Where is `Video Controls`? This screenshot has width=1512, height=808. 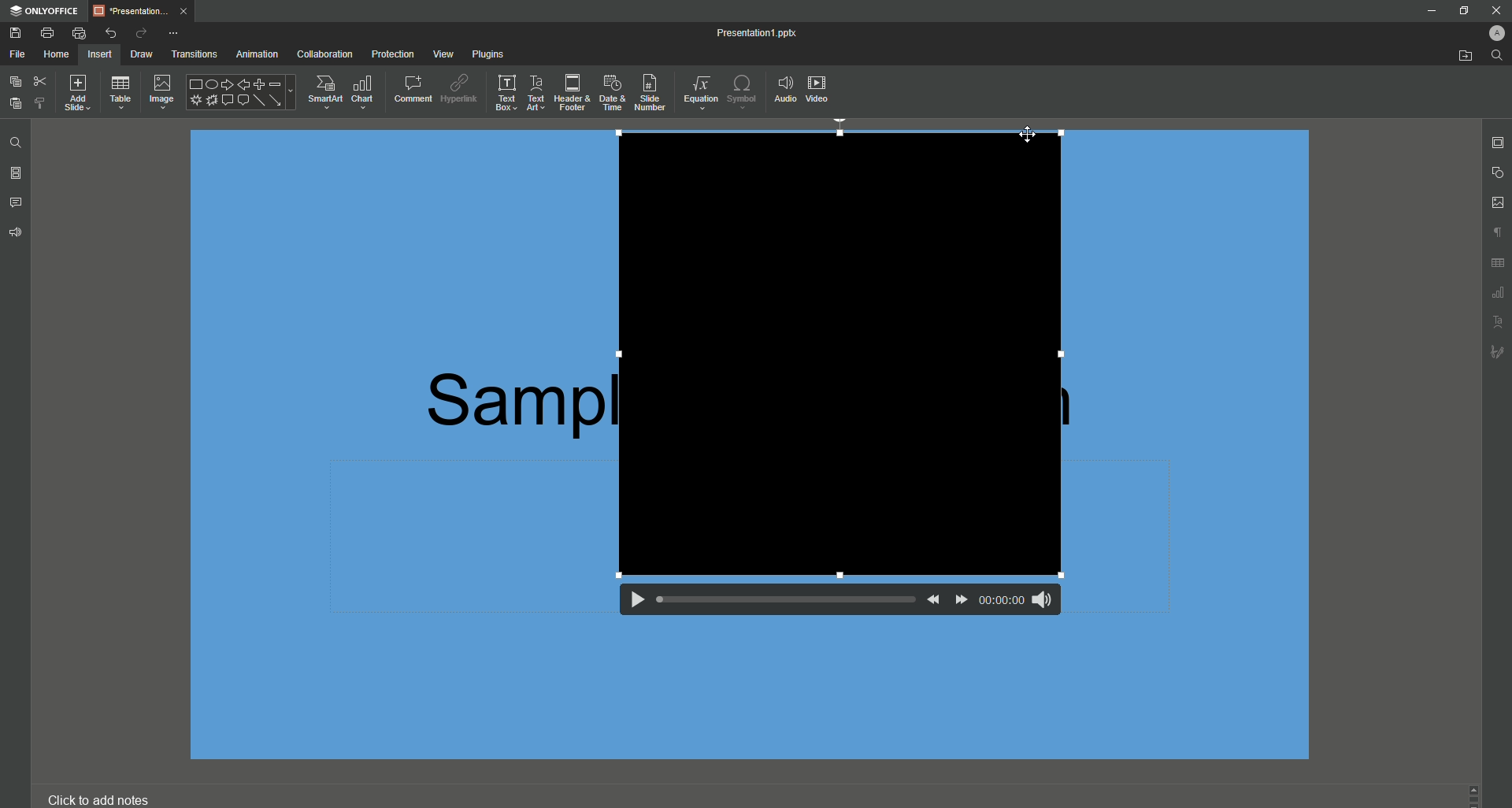 Video Controls is located at coordinates (831, 606).